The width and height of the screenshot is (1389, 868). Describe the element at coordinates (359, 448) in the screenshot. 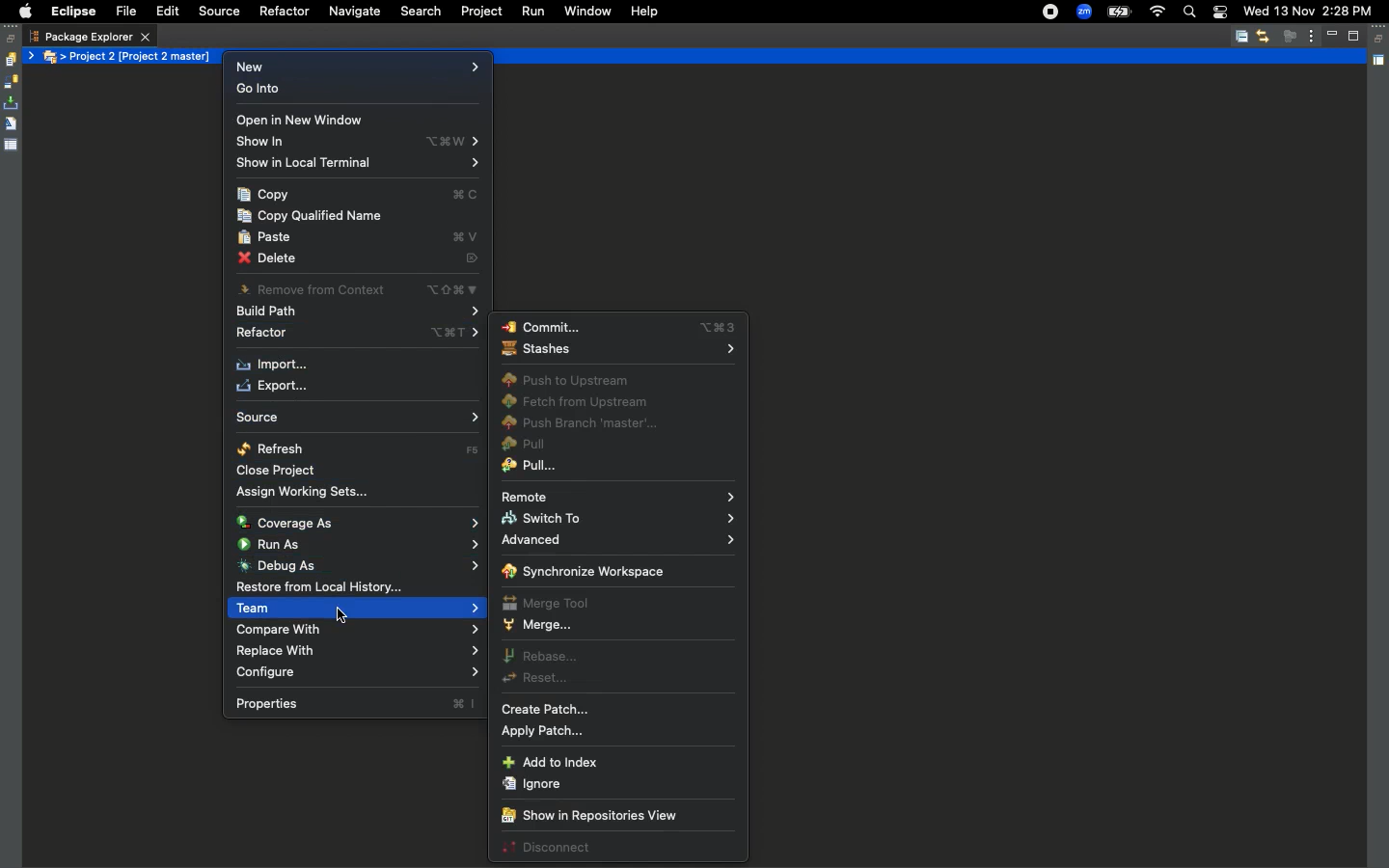

I see `Refresh` at that location.